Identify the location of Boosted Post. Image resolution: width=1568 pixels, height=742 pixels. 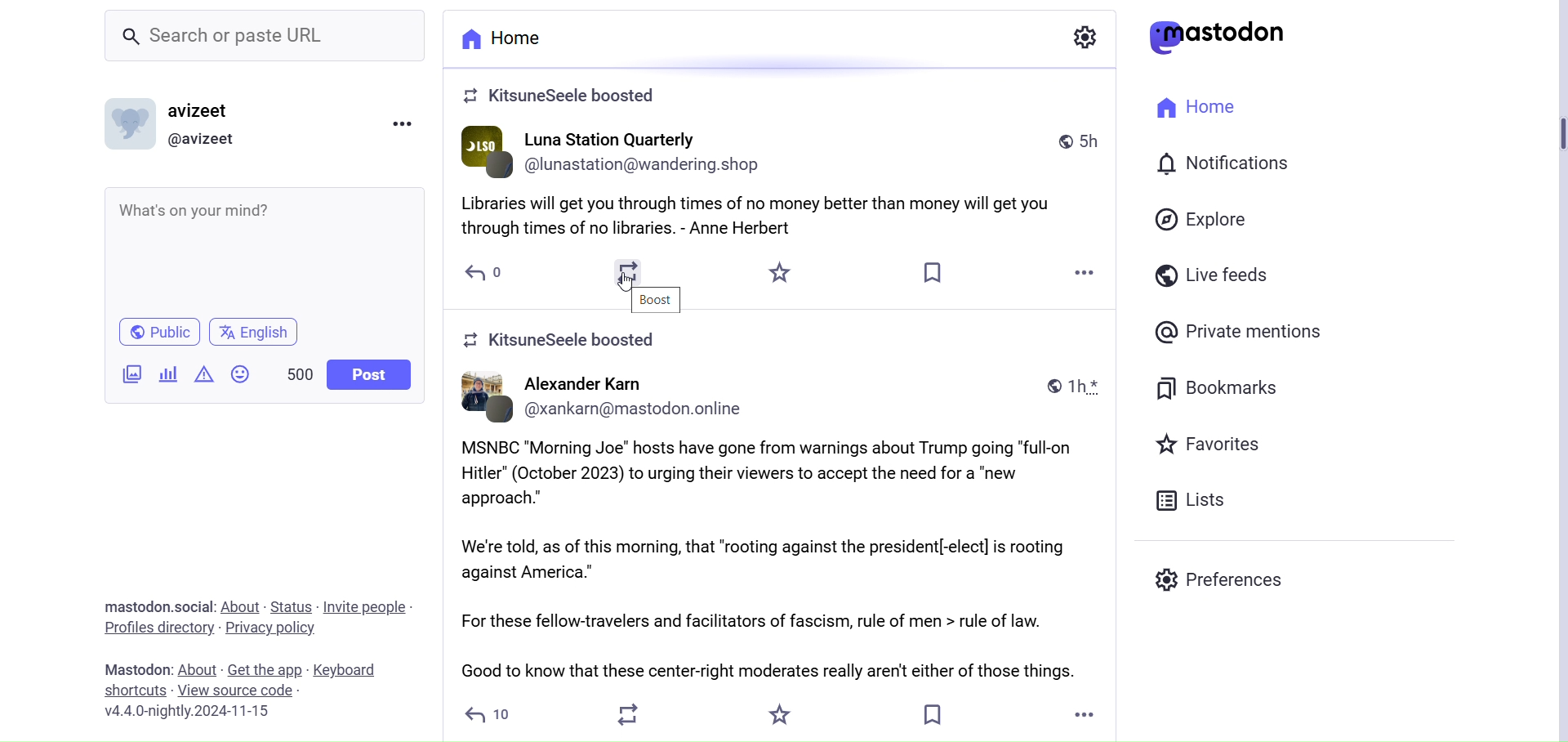
(572, 97).